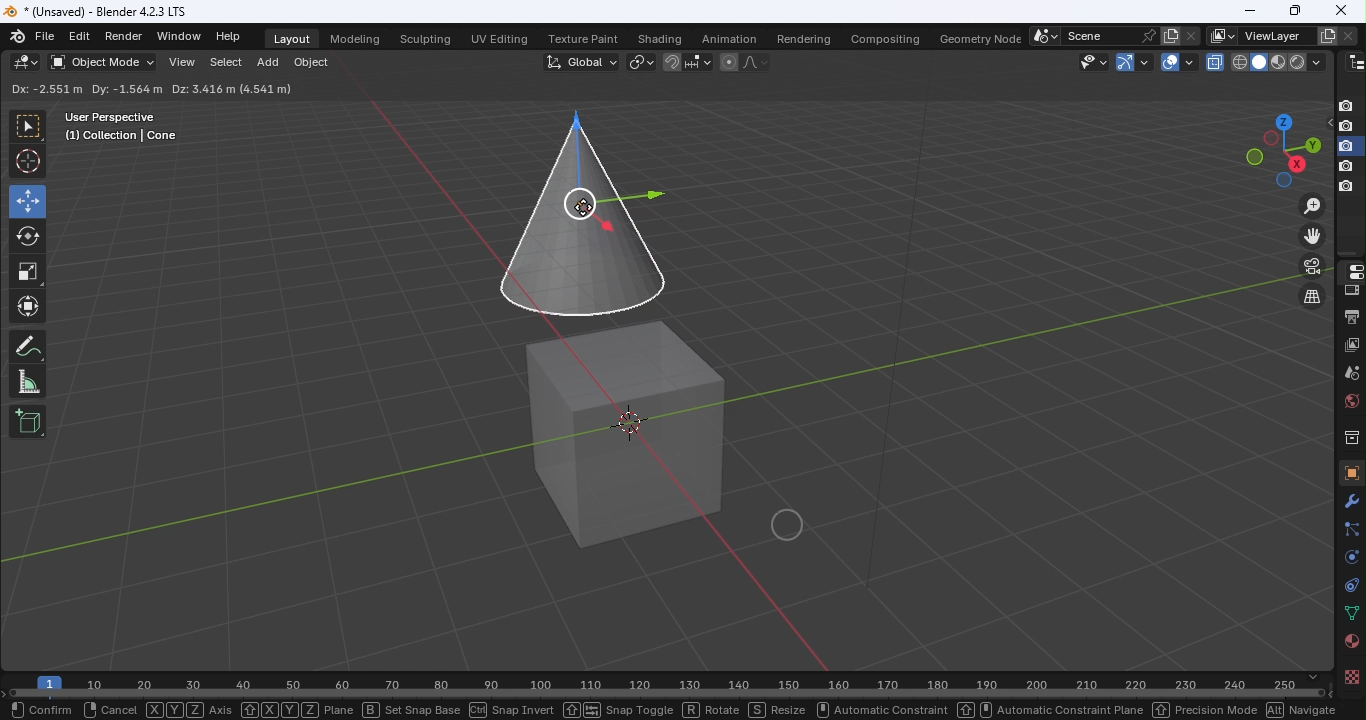 The image size is (1366, 720). Describe the element at coordinates (29, 272) in the screenshot. I see `Scale` at that location.